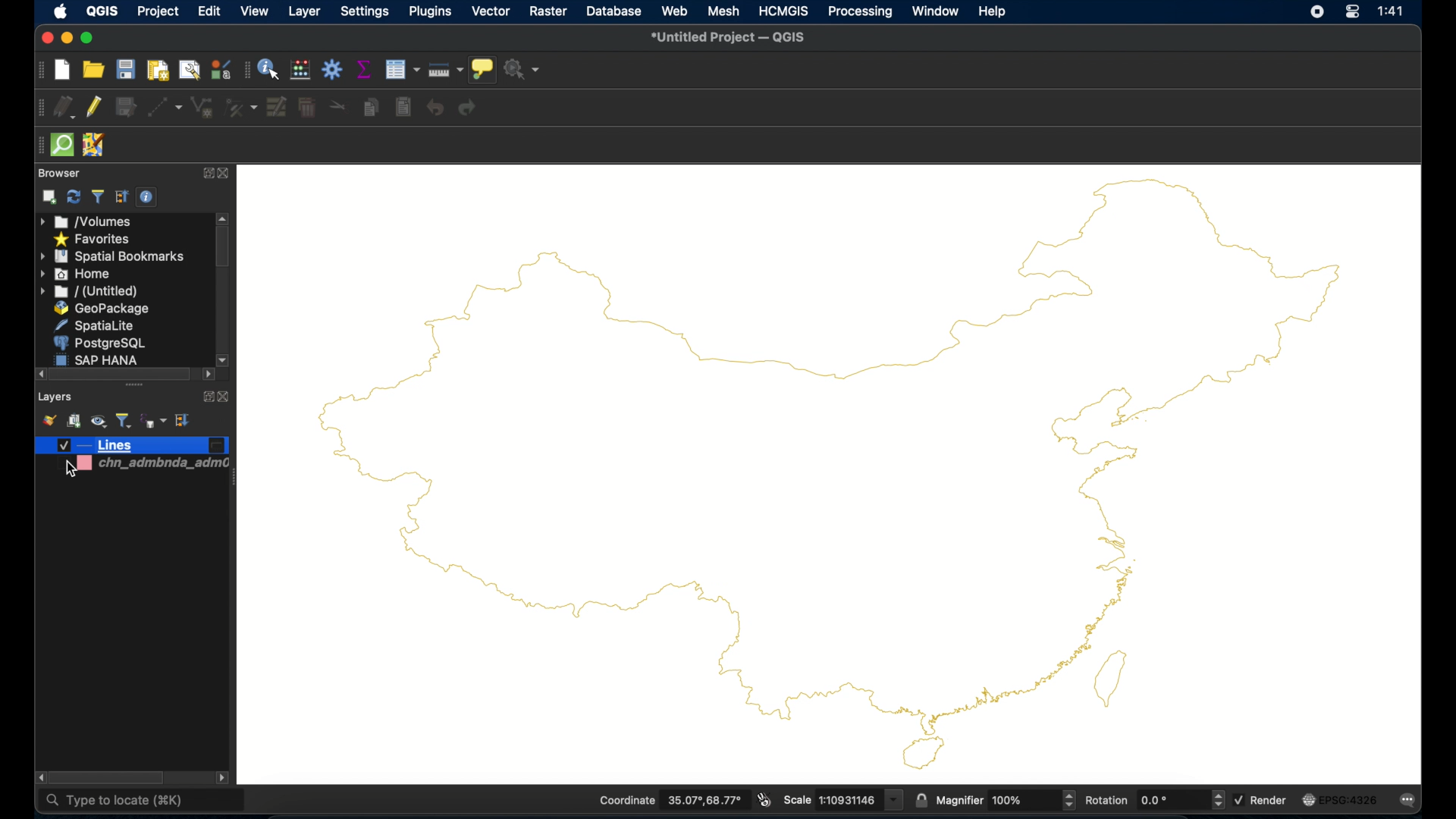  I want to click on no action selected, so click(523, 69).